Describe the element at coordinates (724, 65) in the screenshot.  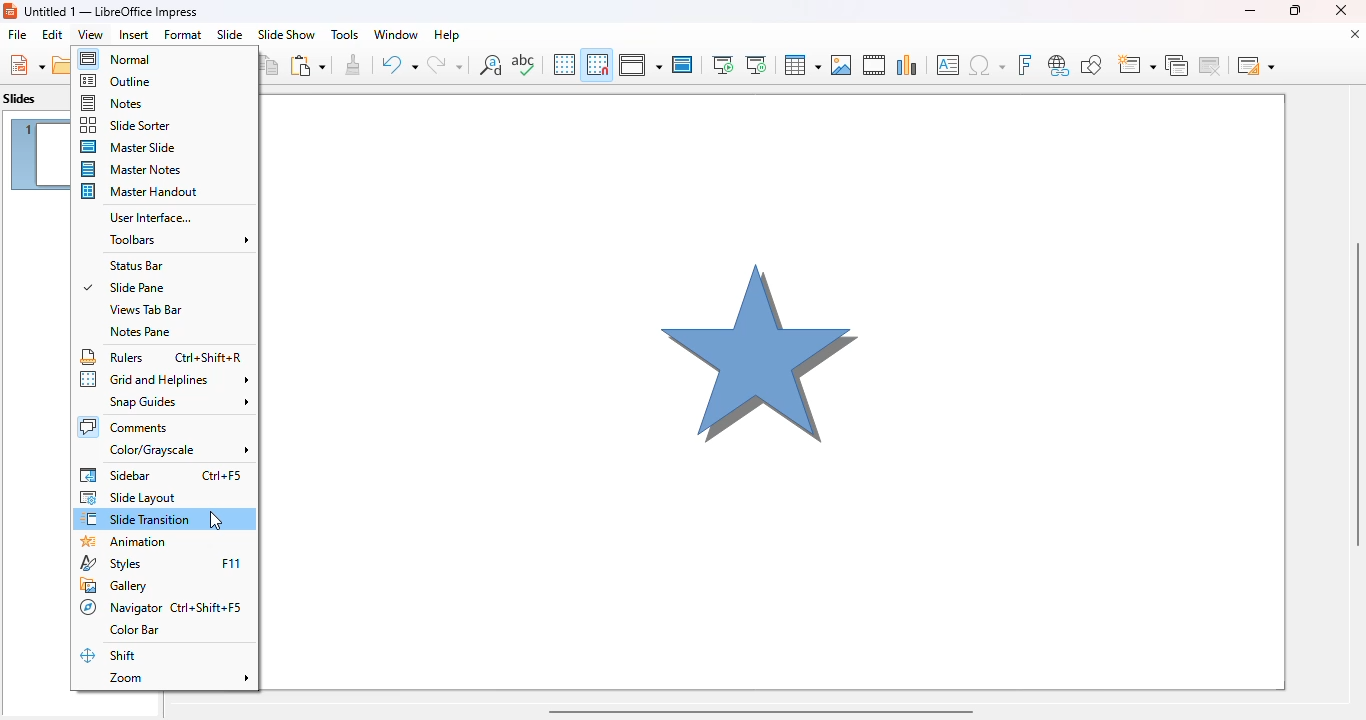
I see `start from first slide` at that location.